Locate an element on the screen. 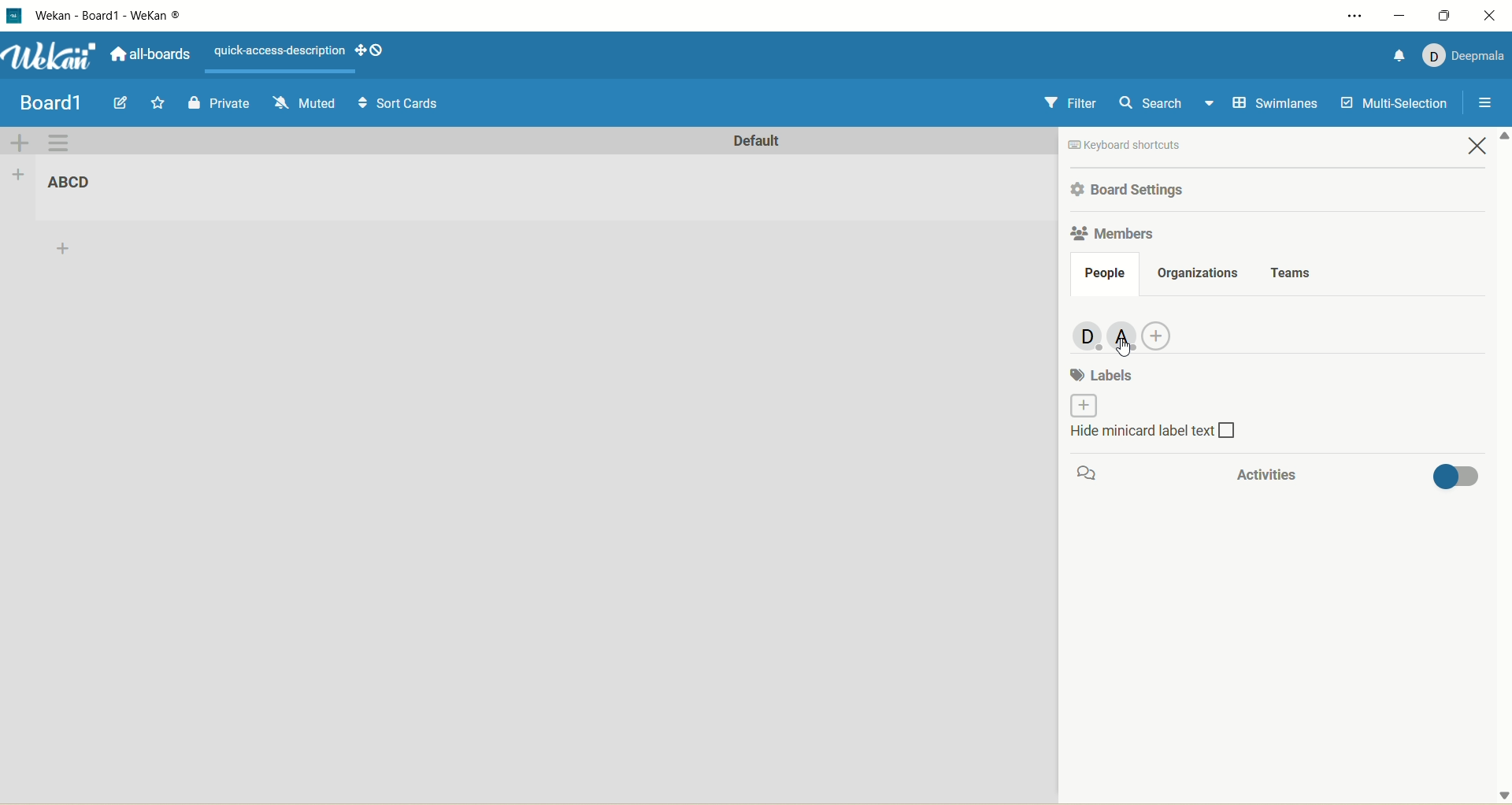 This screenshot has height=805, width=1512. wekan is located at coordinates (52, 55).